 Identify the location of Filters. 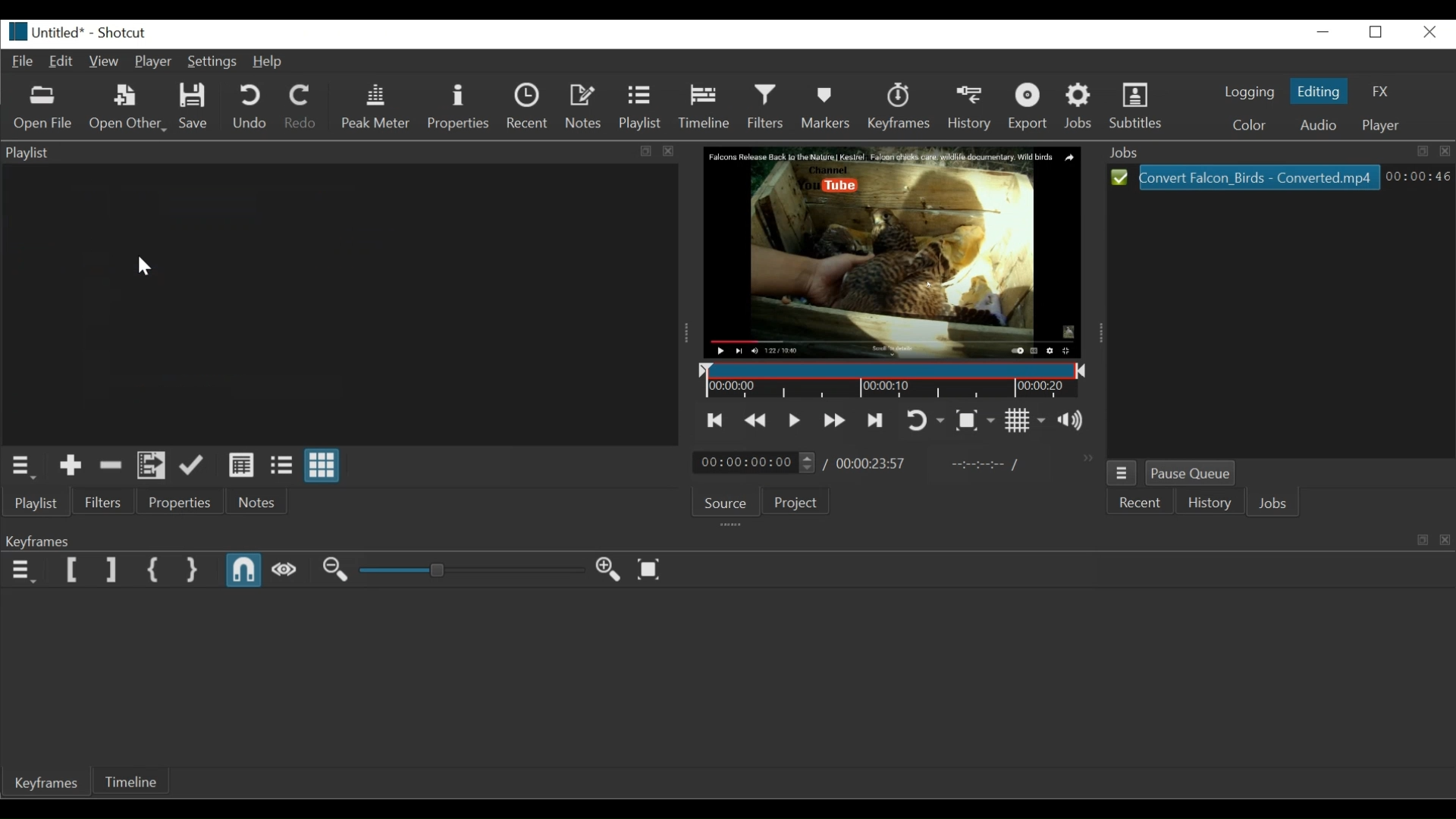
(104, 502).